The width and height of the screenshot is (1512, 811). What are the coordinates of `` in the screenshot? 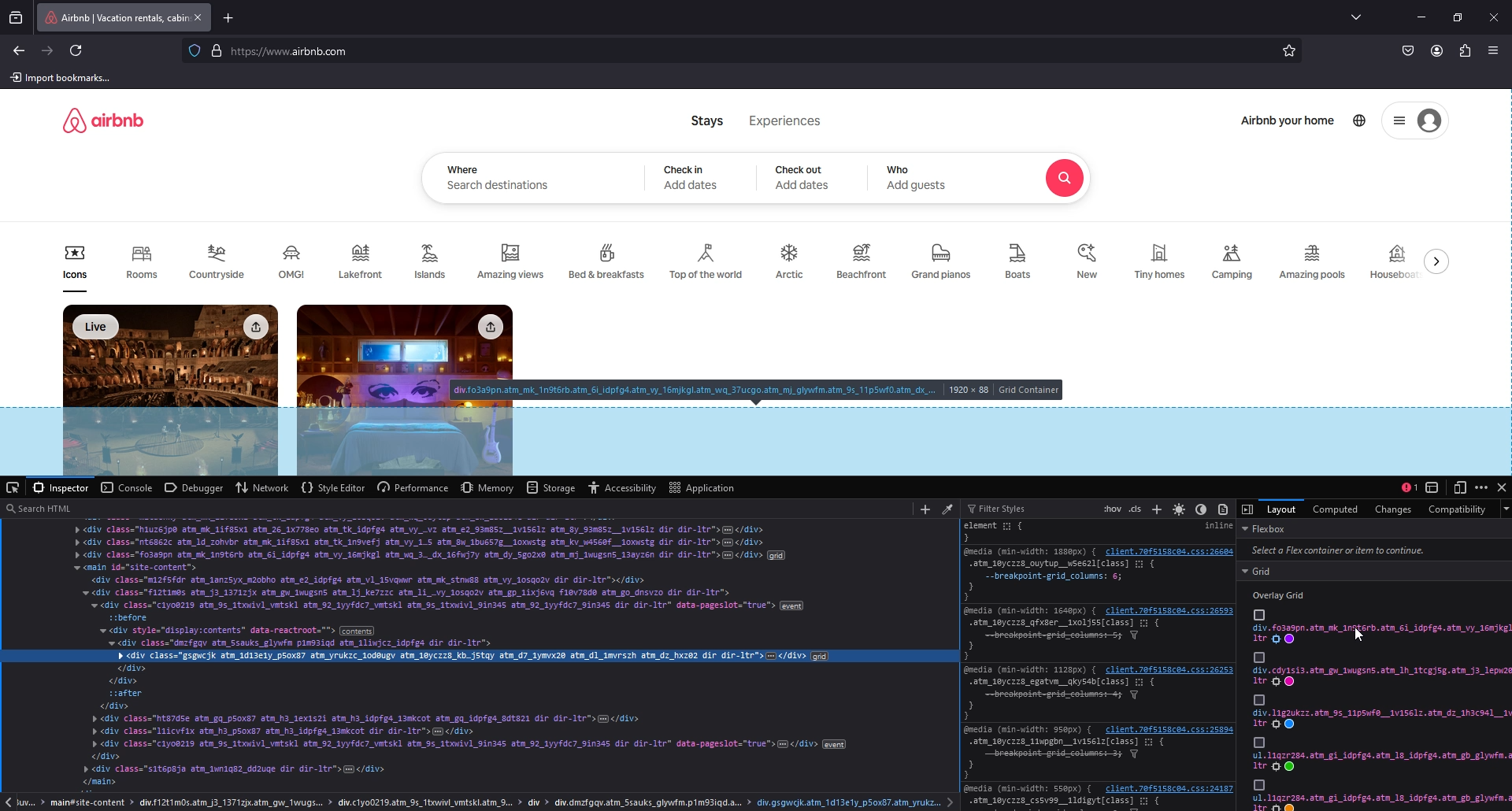 It's located at (1258, 785).